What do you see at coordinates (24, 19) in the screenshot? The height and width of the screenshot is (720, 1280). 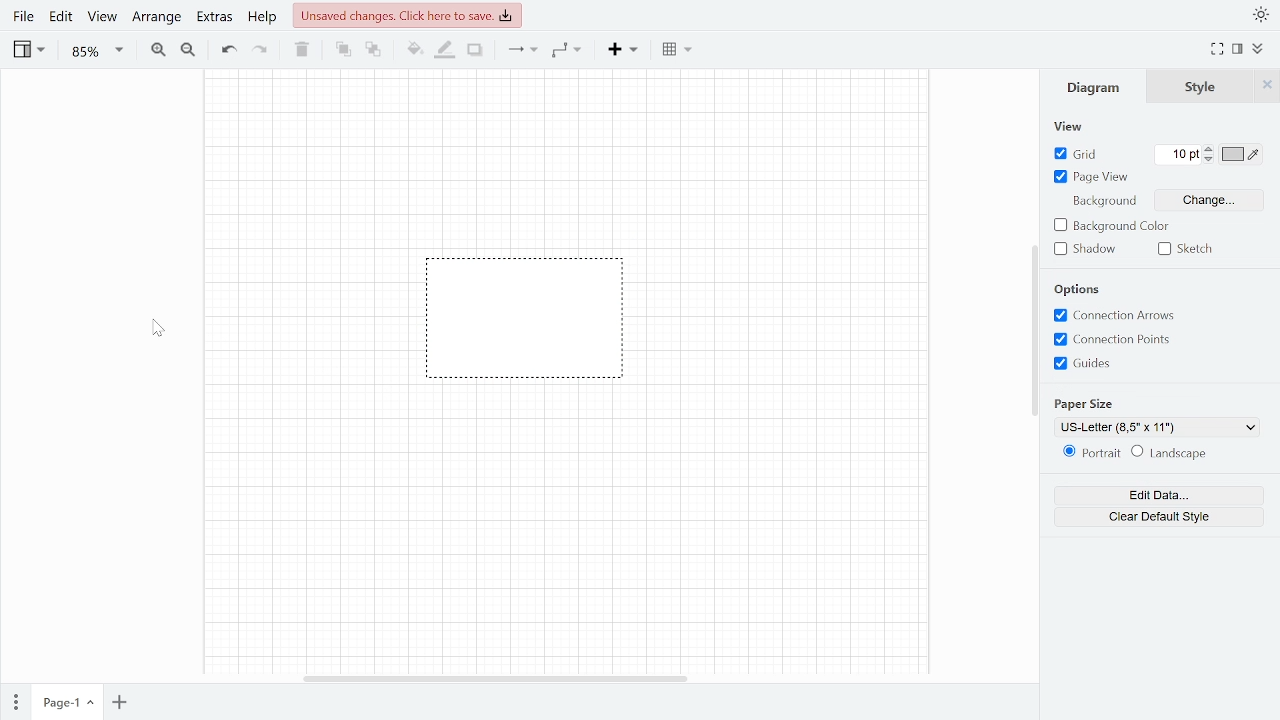 I see `File` at bounding box center [24, 19].